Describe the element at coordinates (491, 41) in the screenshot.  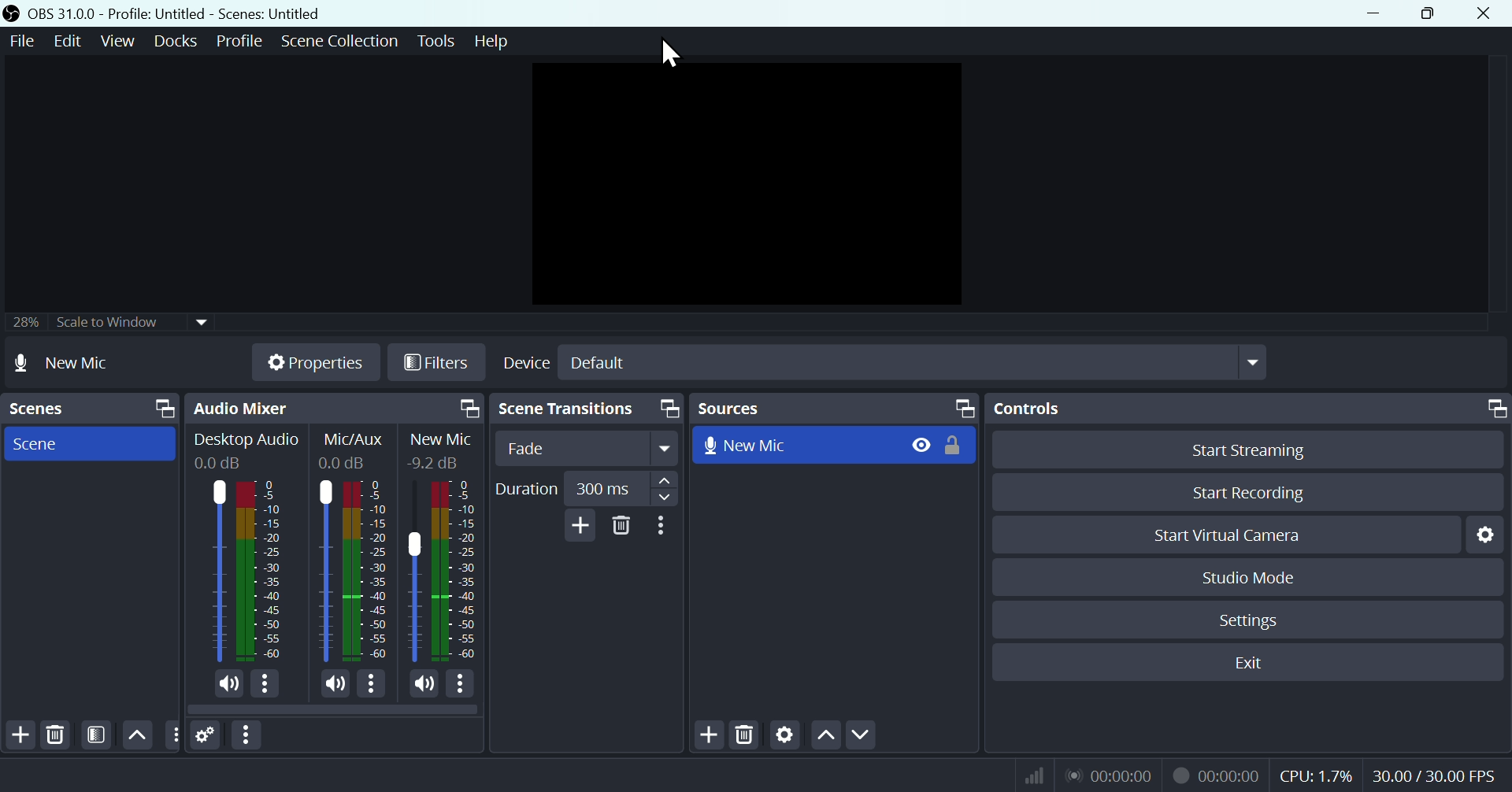
I see `help` at that location.